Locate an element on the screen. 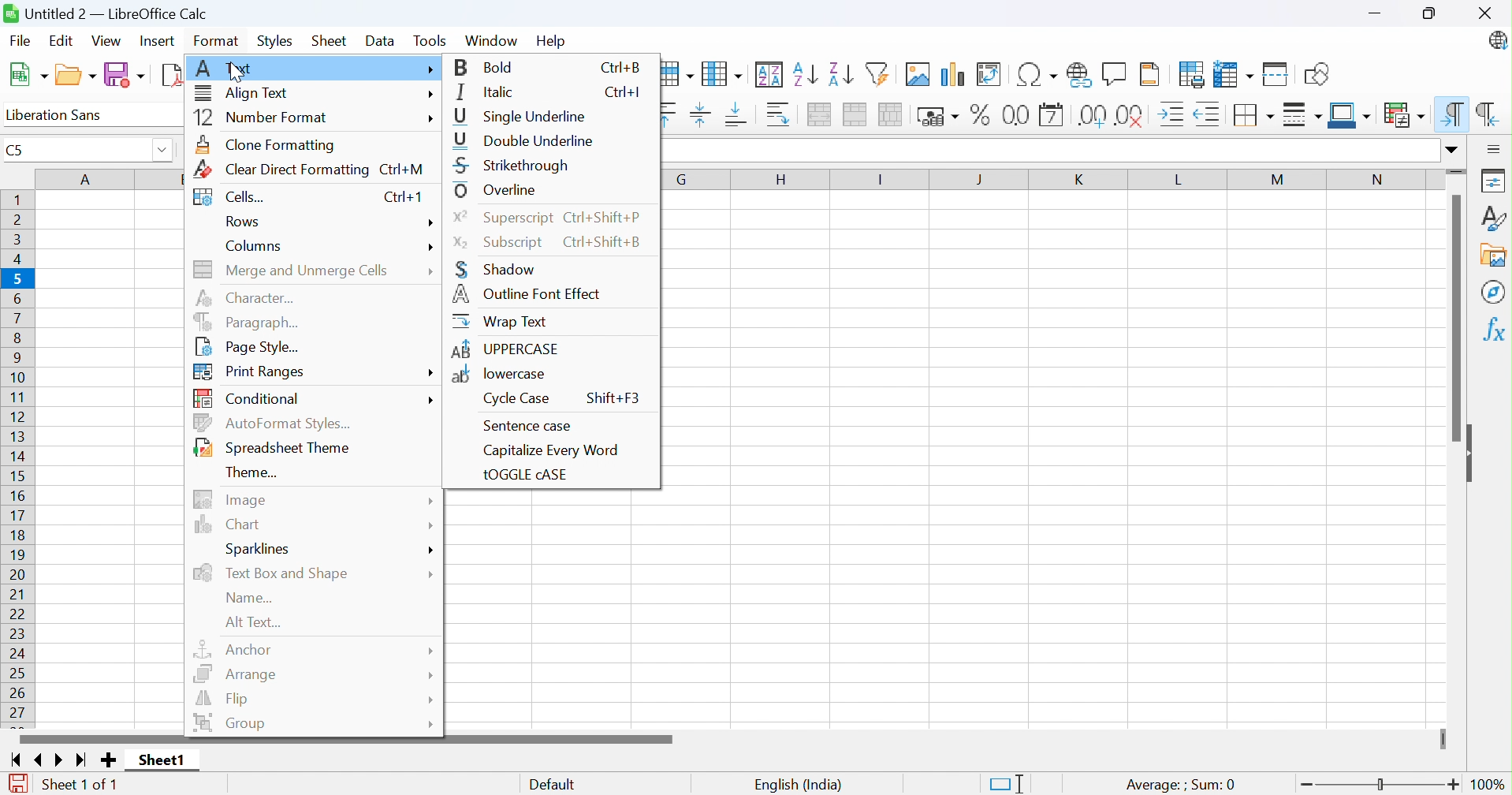 The height and width of the screenshot is (795, 1512). Split window is located at coordinates (1276, 75).